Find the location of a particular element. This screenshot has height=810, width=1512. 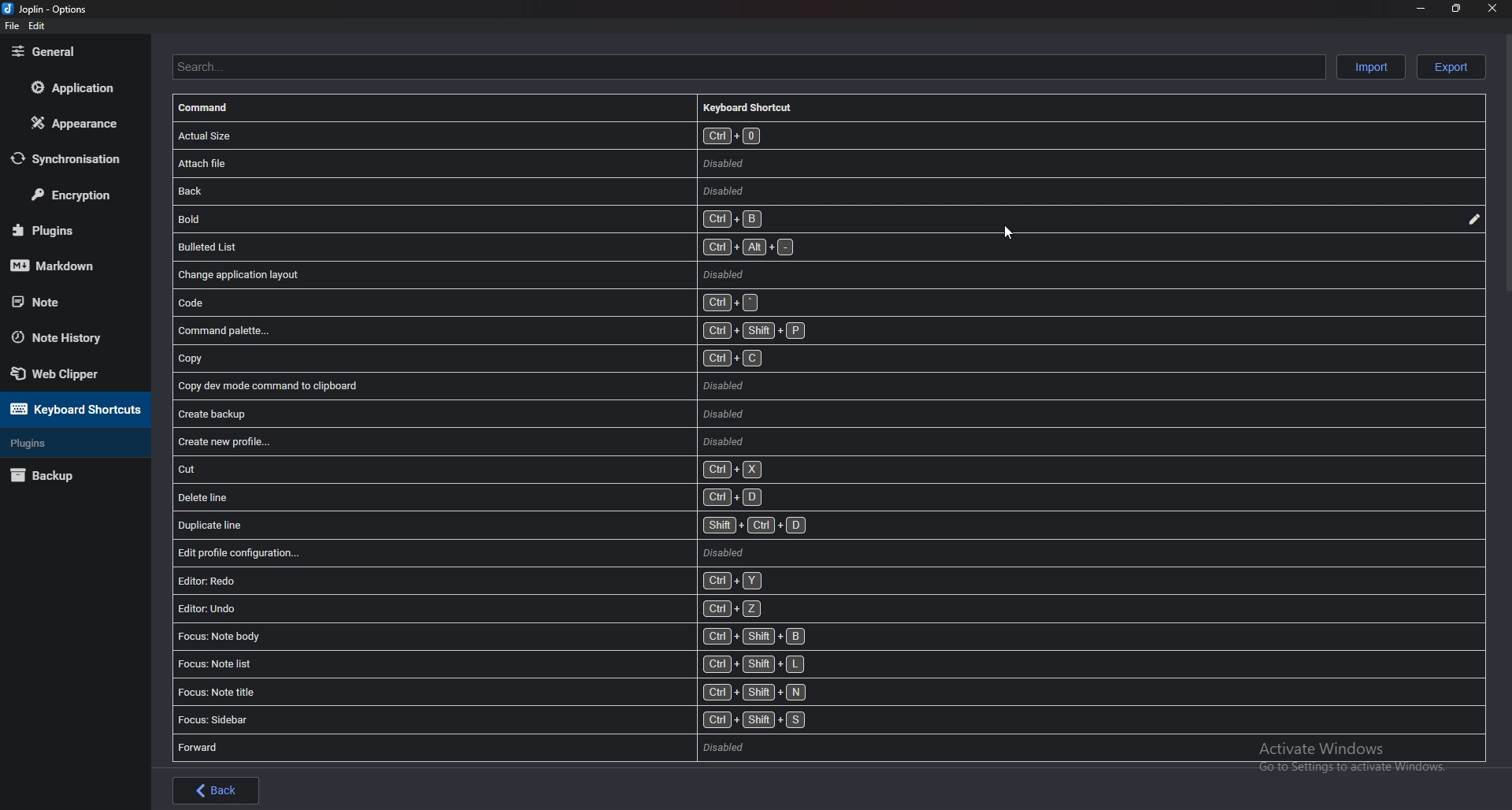

Create new profile is located at coordinates (465, 441).